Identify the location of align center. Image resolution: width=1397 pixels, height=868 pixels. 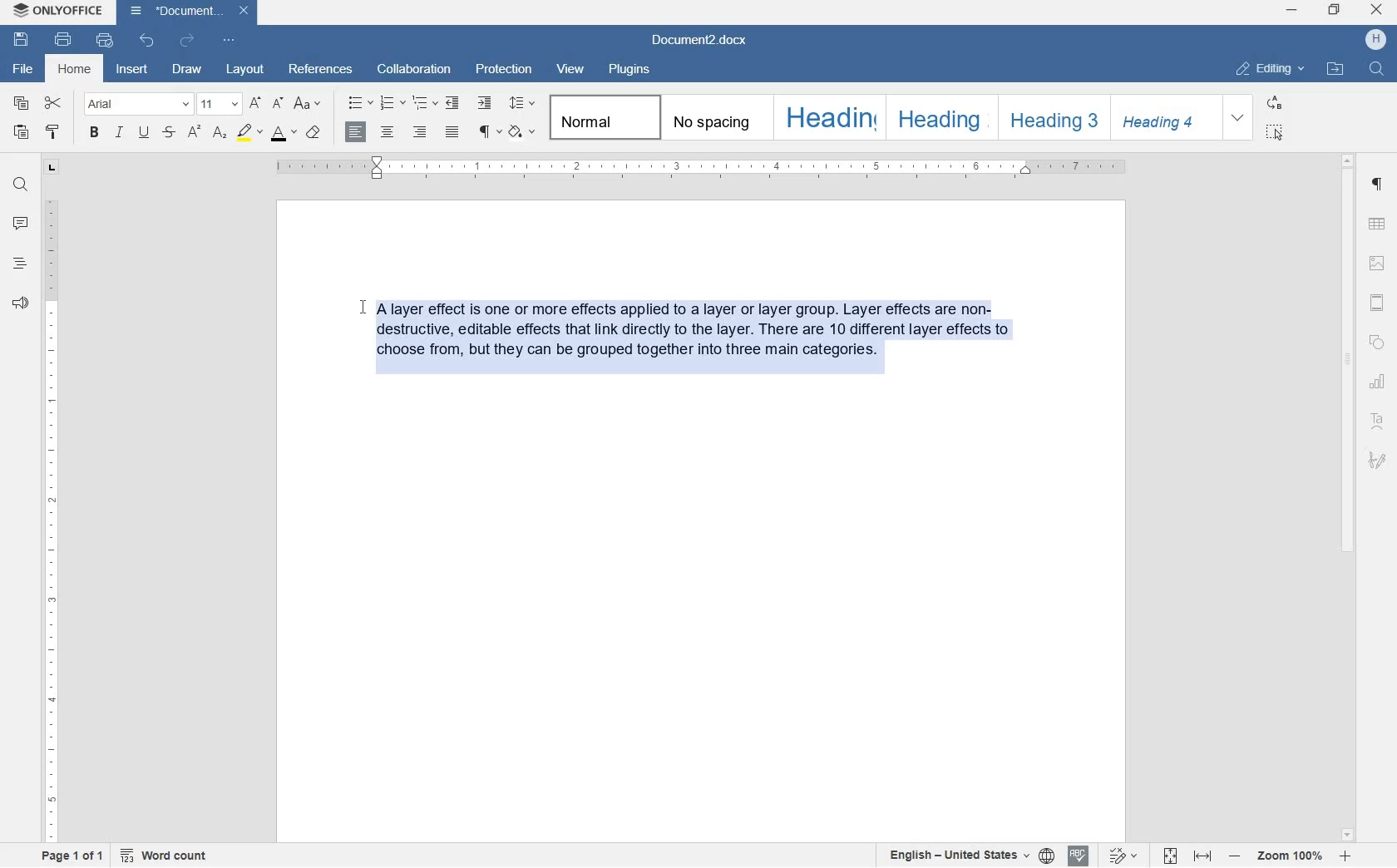
(386, 132).